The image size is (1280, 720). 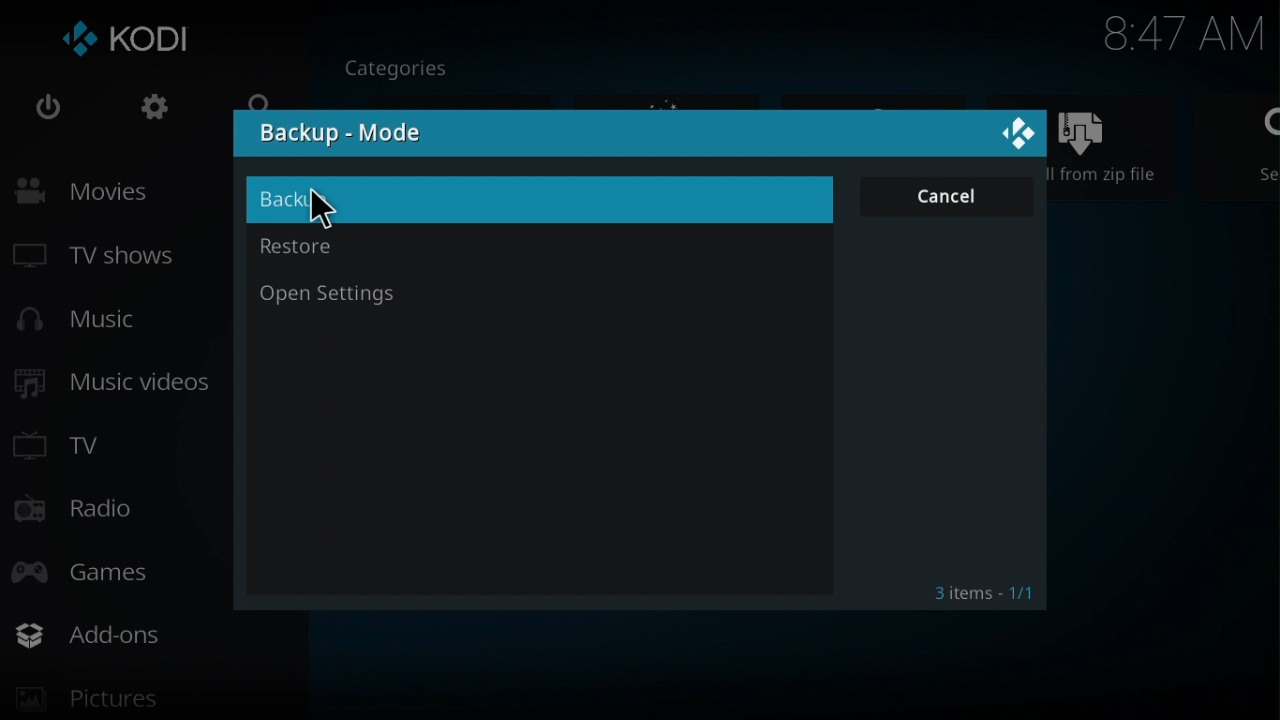 I want to click on restore, so click(x=543, y=248).